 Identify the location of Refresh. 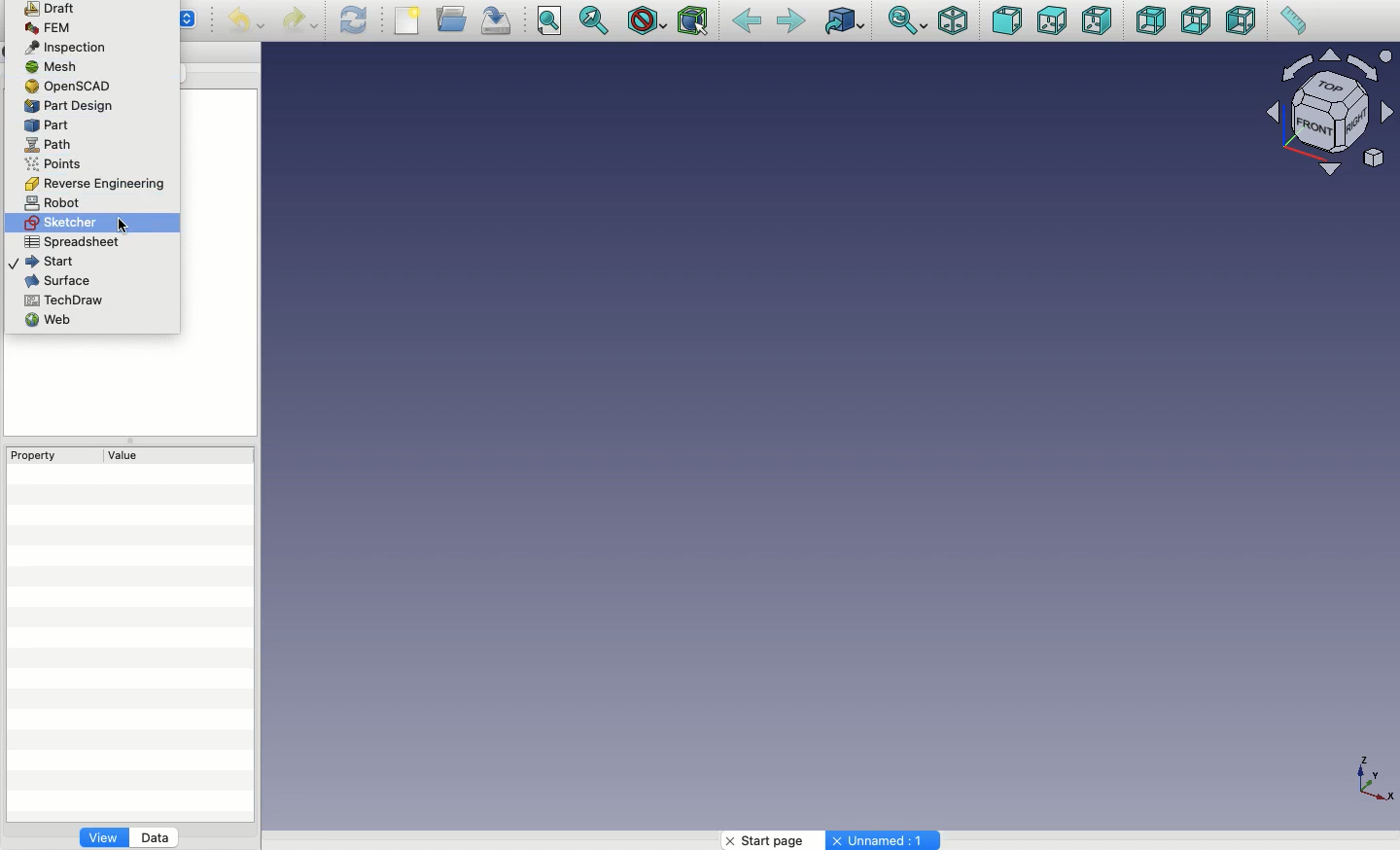
(353, 20).